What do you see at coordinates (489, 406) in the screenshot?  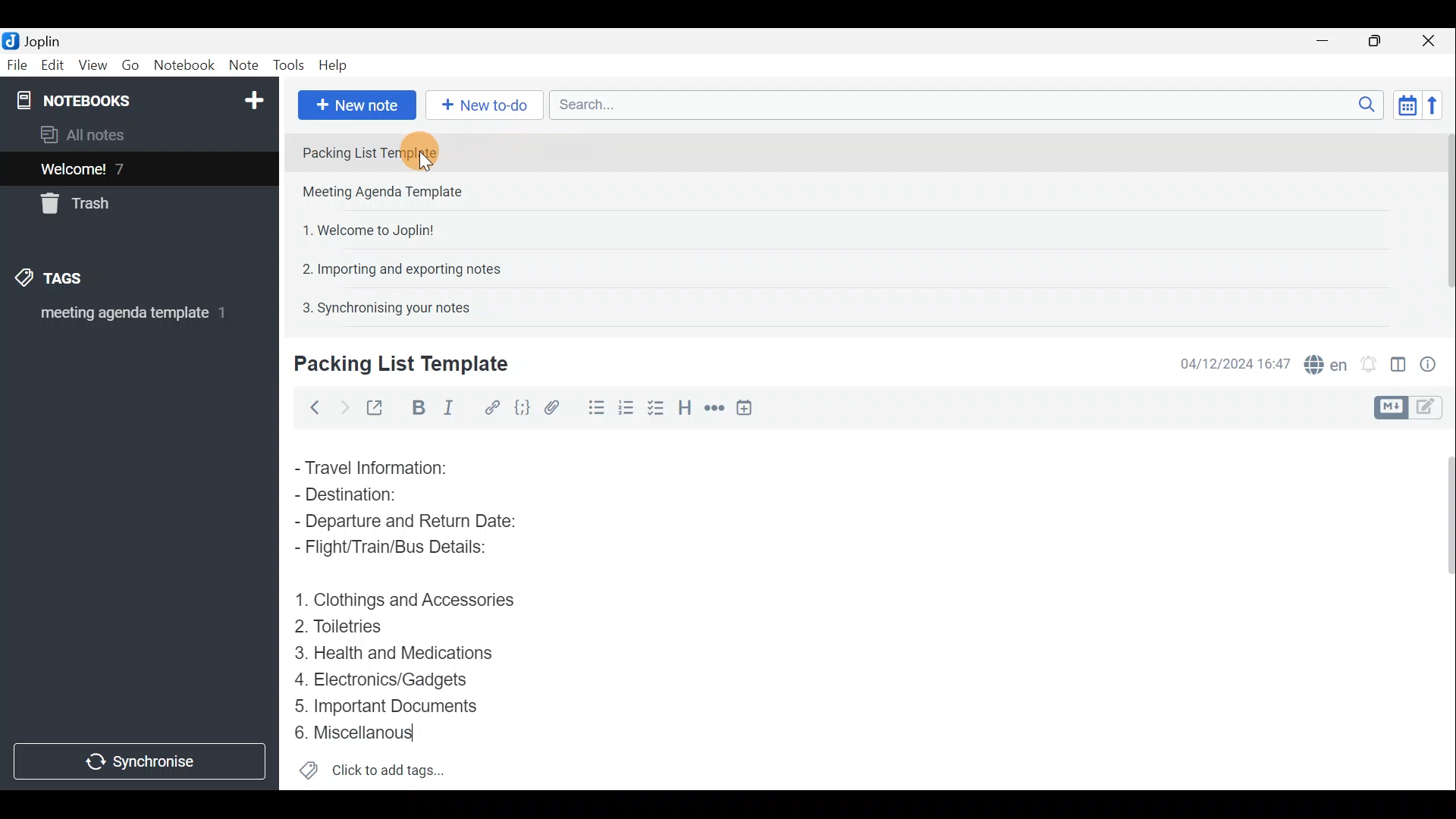 I see `Hyperlink` at bounding box center [489, 406].